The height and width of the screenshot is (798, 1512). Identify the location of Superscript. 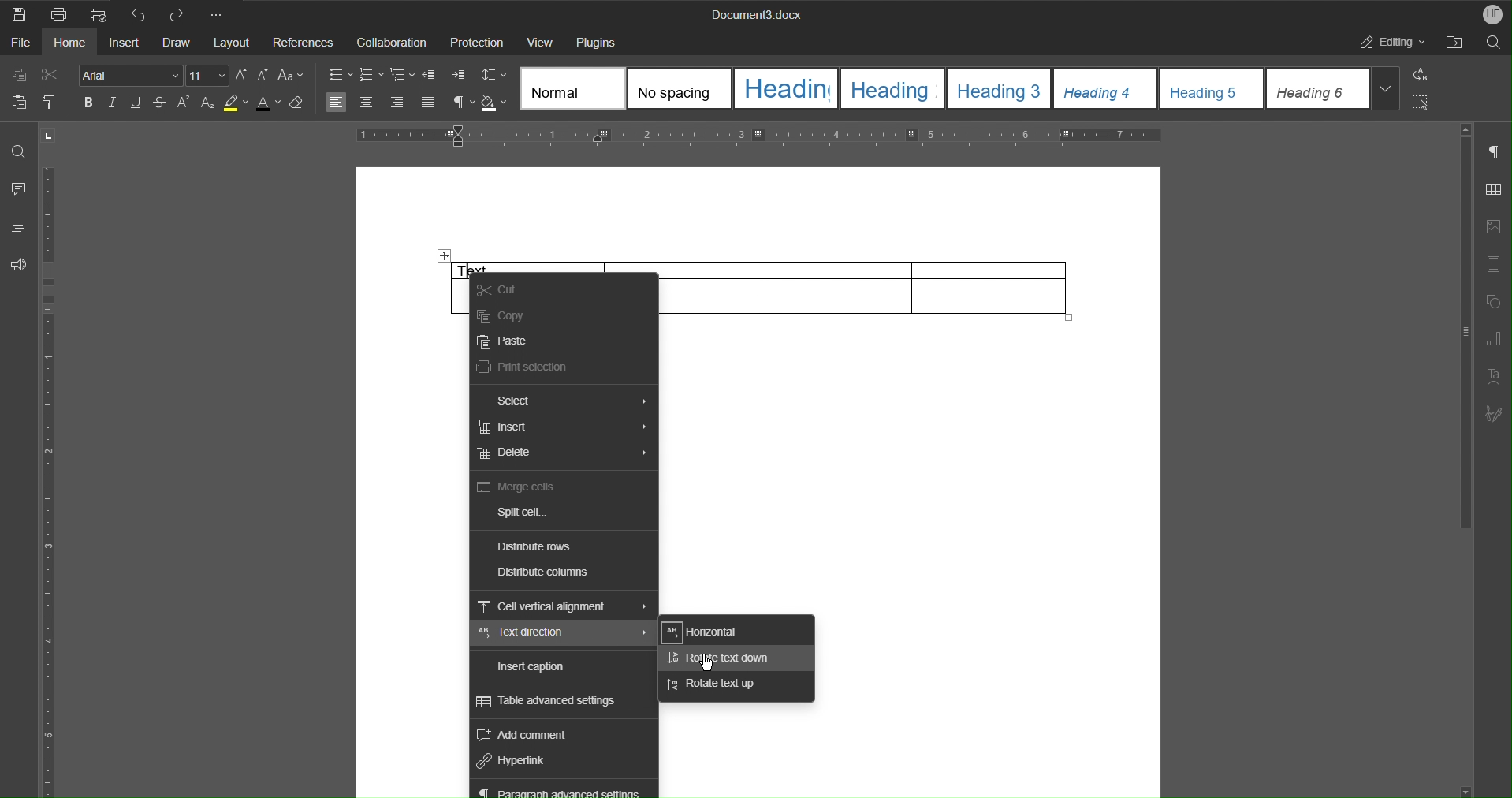
(181, 102).